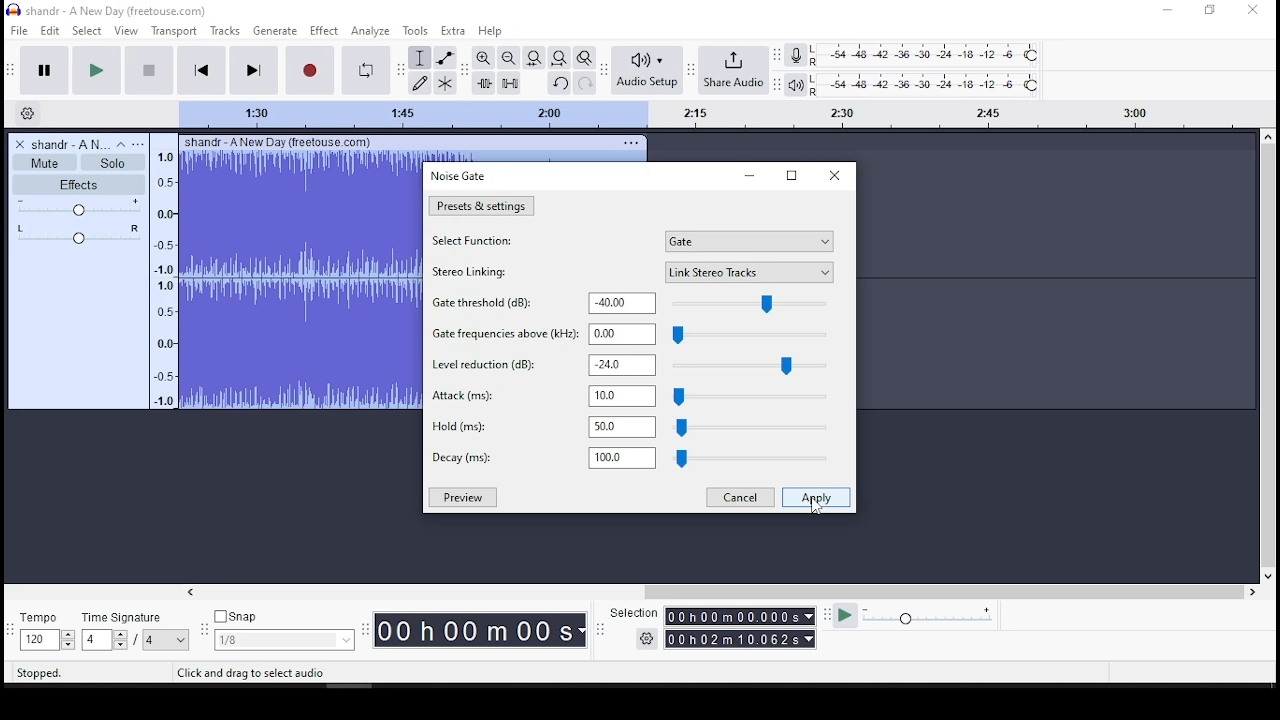  I want to click on mute, so click(46, 162).